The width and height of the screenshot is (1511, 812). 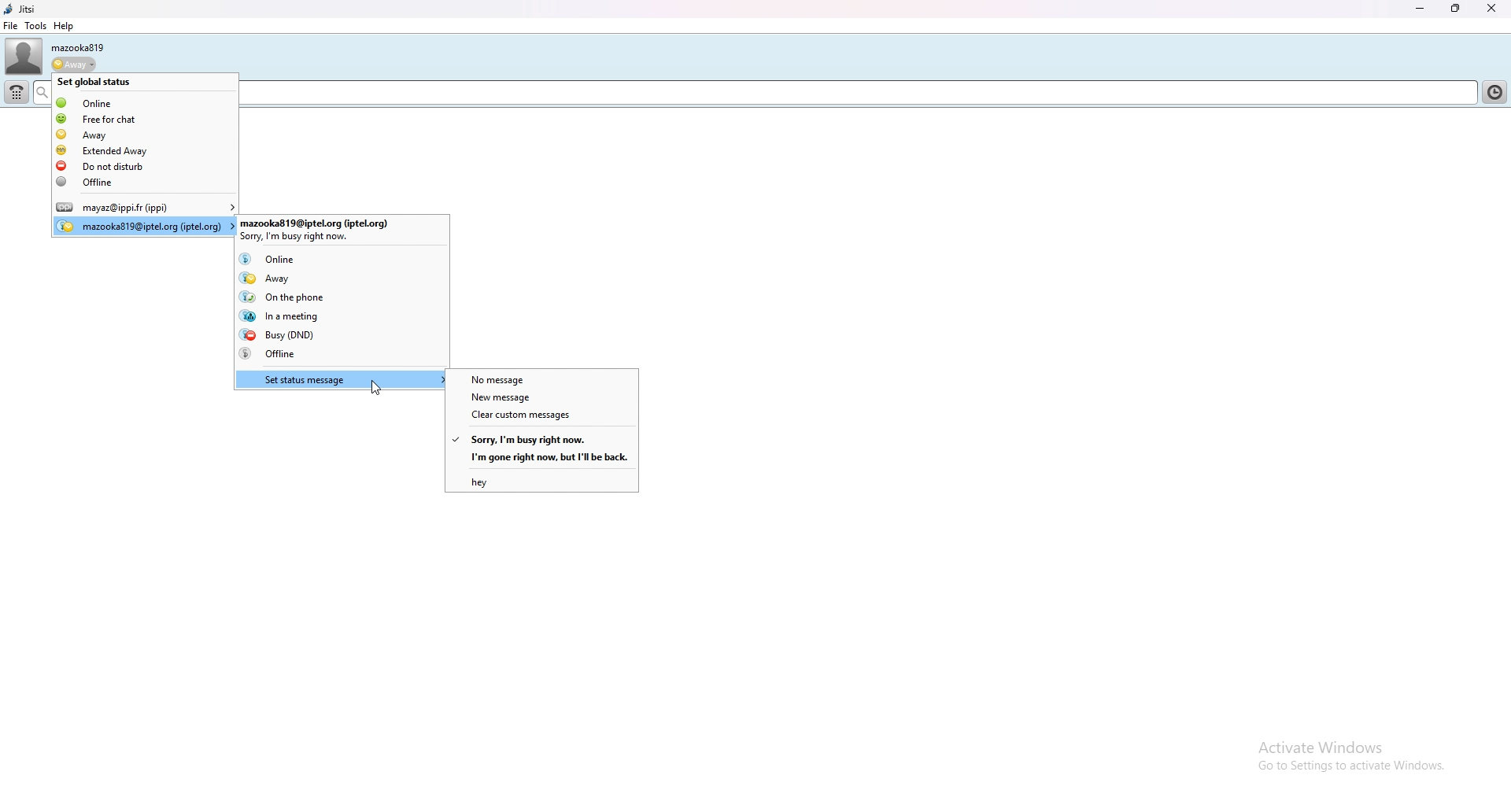 What do you see at coordinates (341, 353) in the screenshot?
I see `offline` at bounding box center [341, 353].